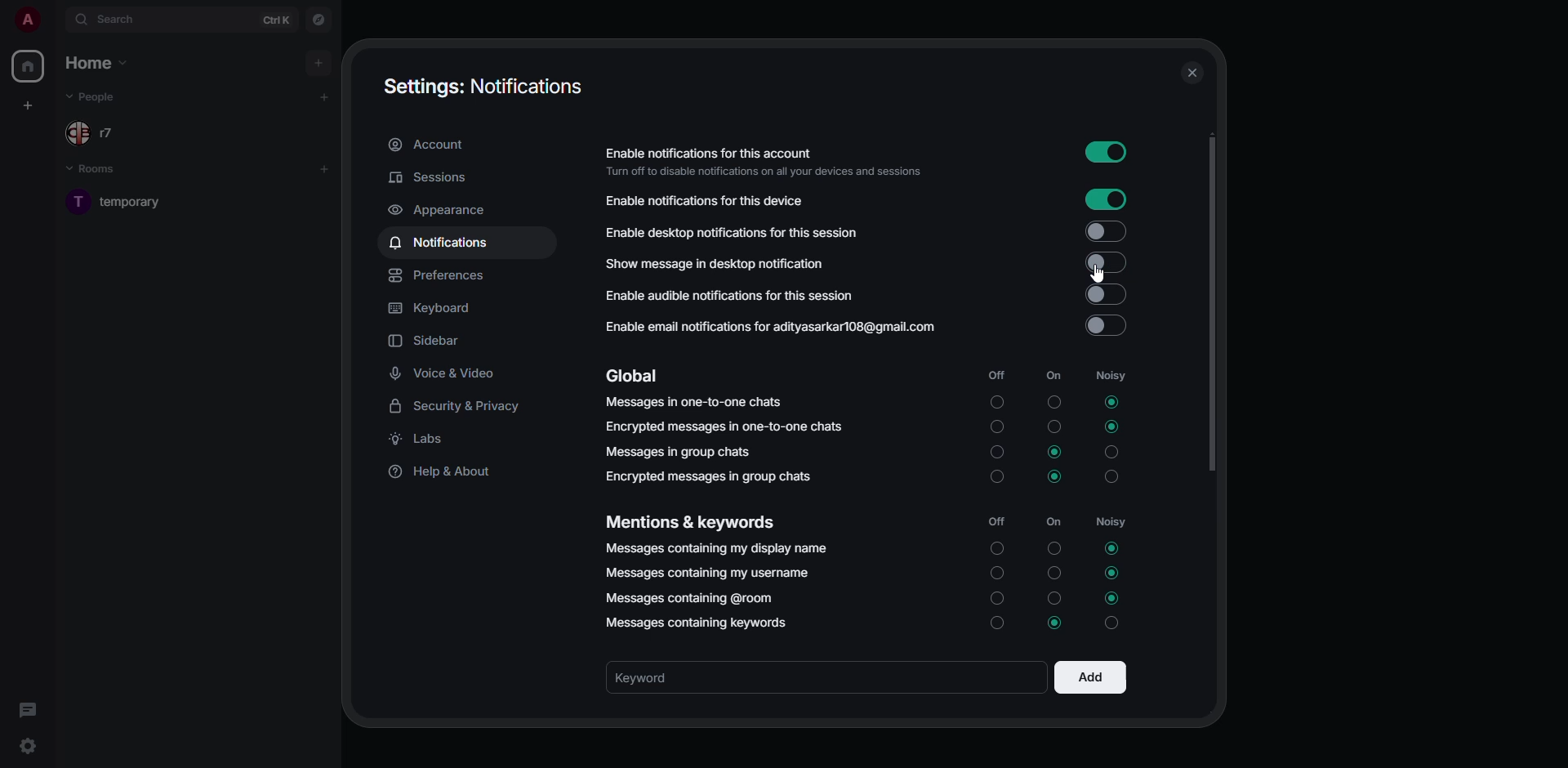 The height and width of the screenshot is (768, 1568). Describe the element at coordinates (430, 342) in the screenshot. I see `sidebar` at that location.